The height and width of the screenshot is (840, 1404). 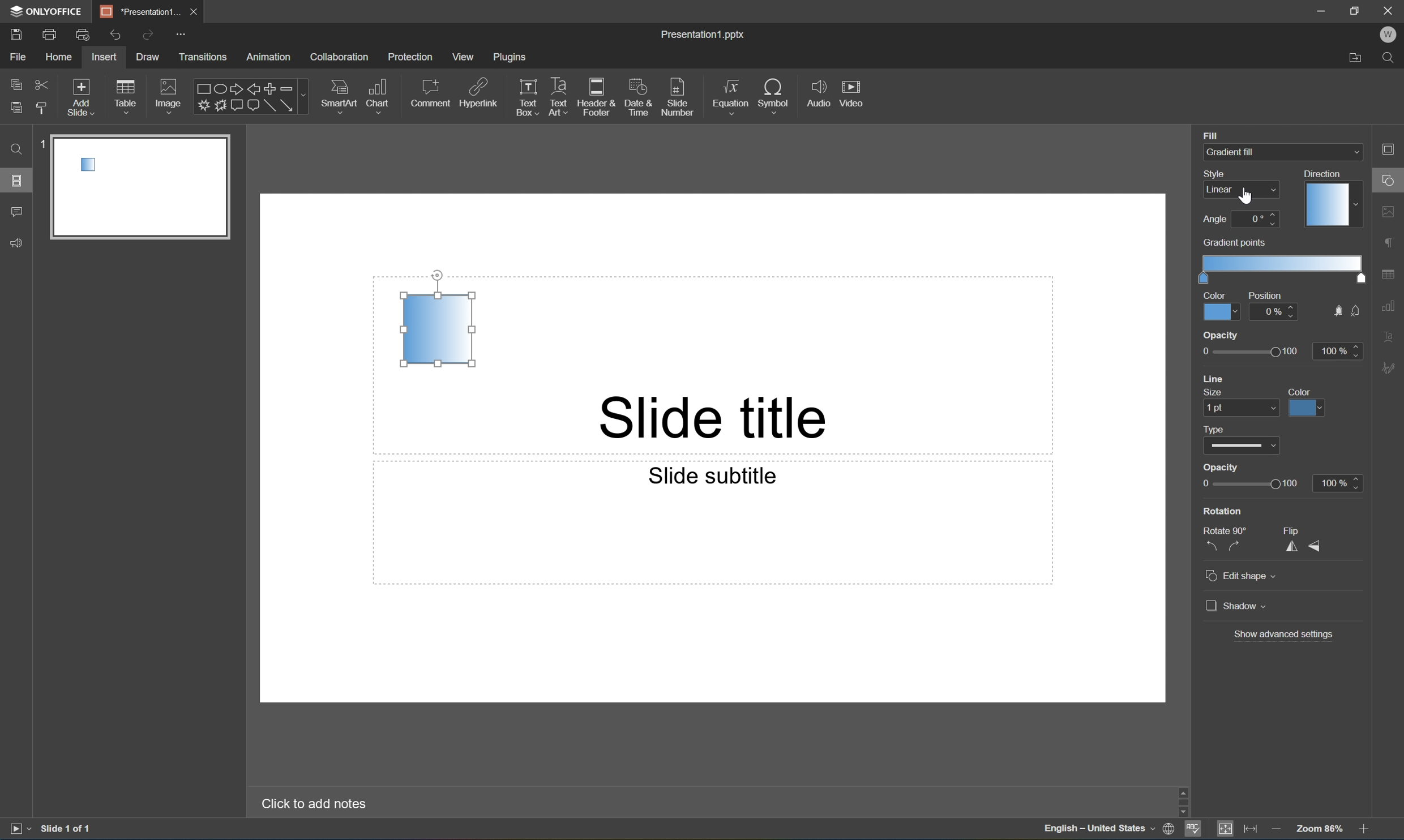 I want to click on Slide 1 of 1, so click(x=67, y=828).